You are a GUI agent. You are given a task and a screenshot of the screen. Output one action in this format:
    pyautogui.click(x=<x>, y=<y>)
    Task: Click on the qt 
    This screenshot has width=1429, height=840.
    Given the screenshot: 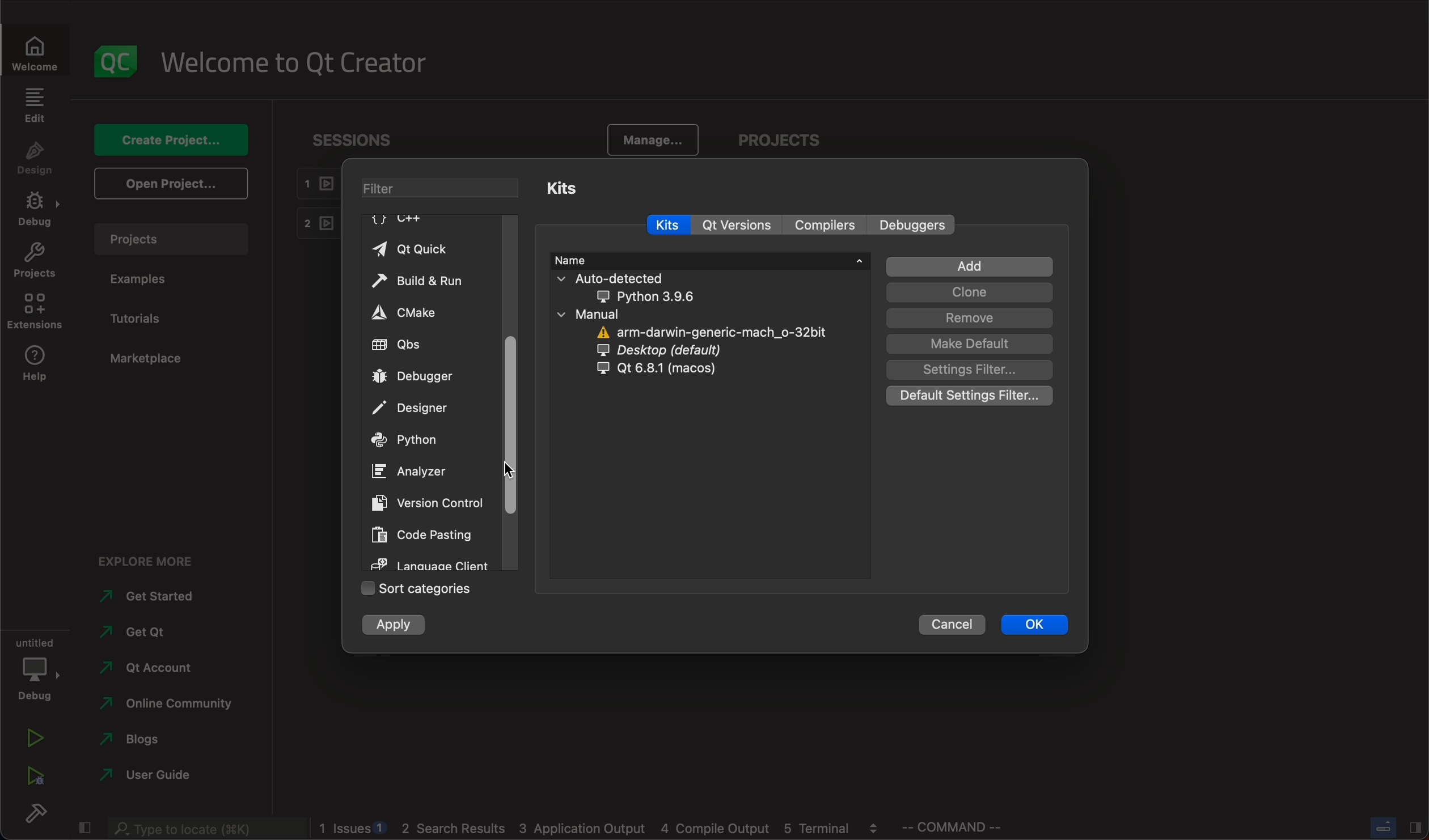 What is the action you would take?
    pyautogui.click(x=646, y=371)
    